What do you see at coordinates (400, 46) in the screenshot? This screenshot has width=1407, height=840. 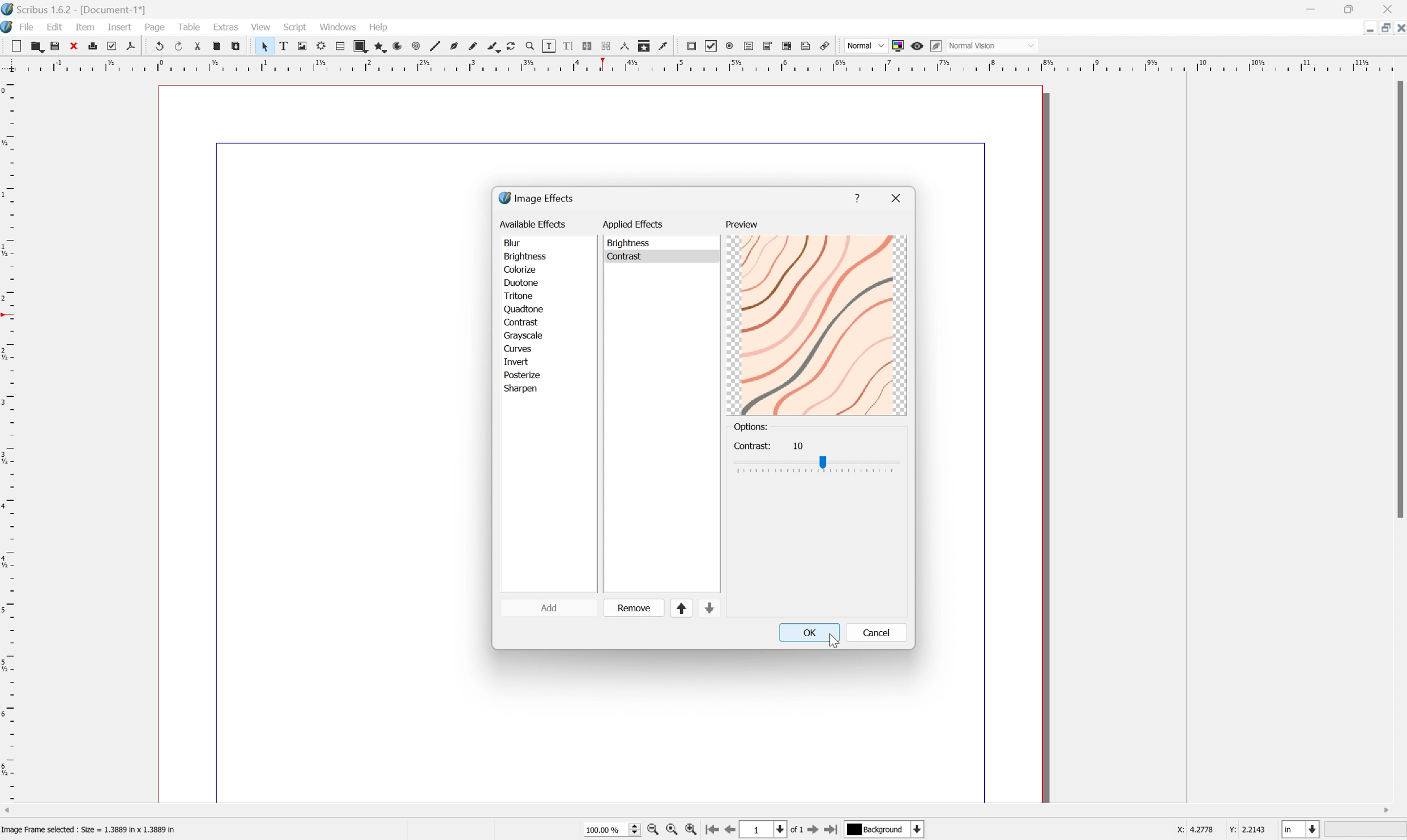 I see `Arc` at bounding box center [400, 46].